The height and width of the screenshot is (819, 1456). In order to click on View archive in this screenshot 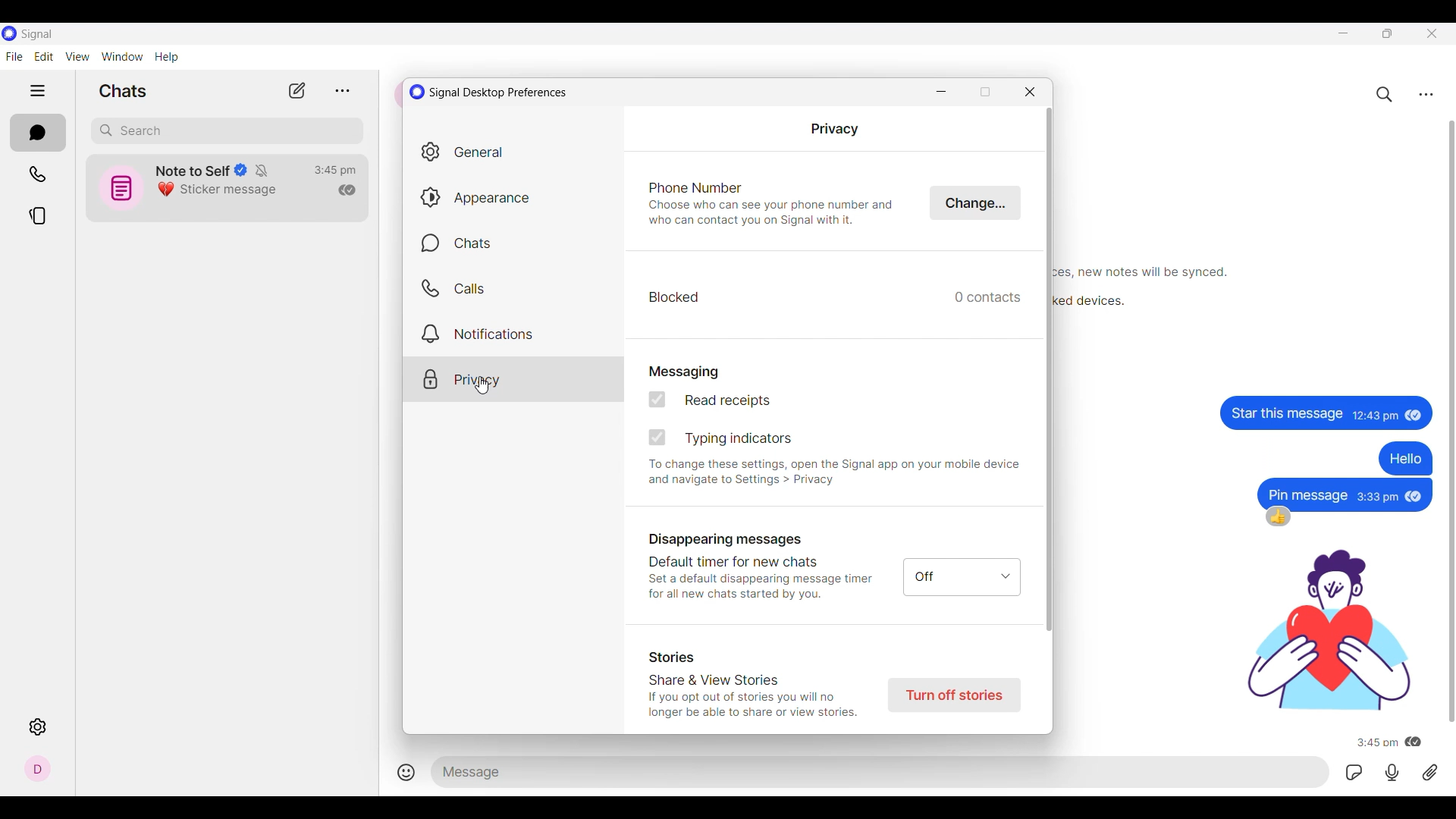, I will do `click(342, 91)`.